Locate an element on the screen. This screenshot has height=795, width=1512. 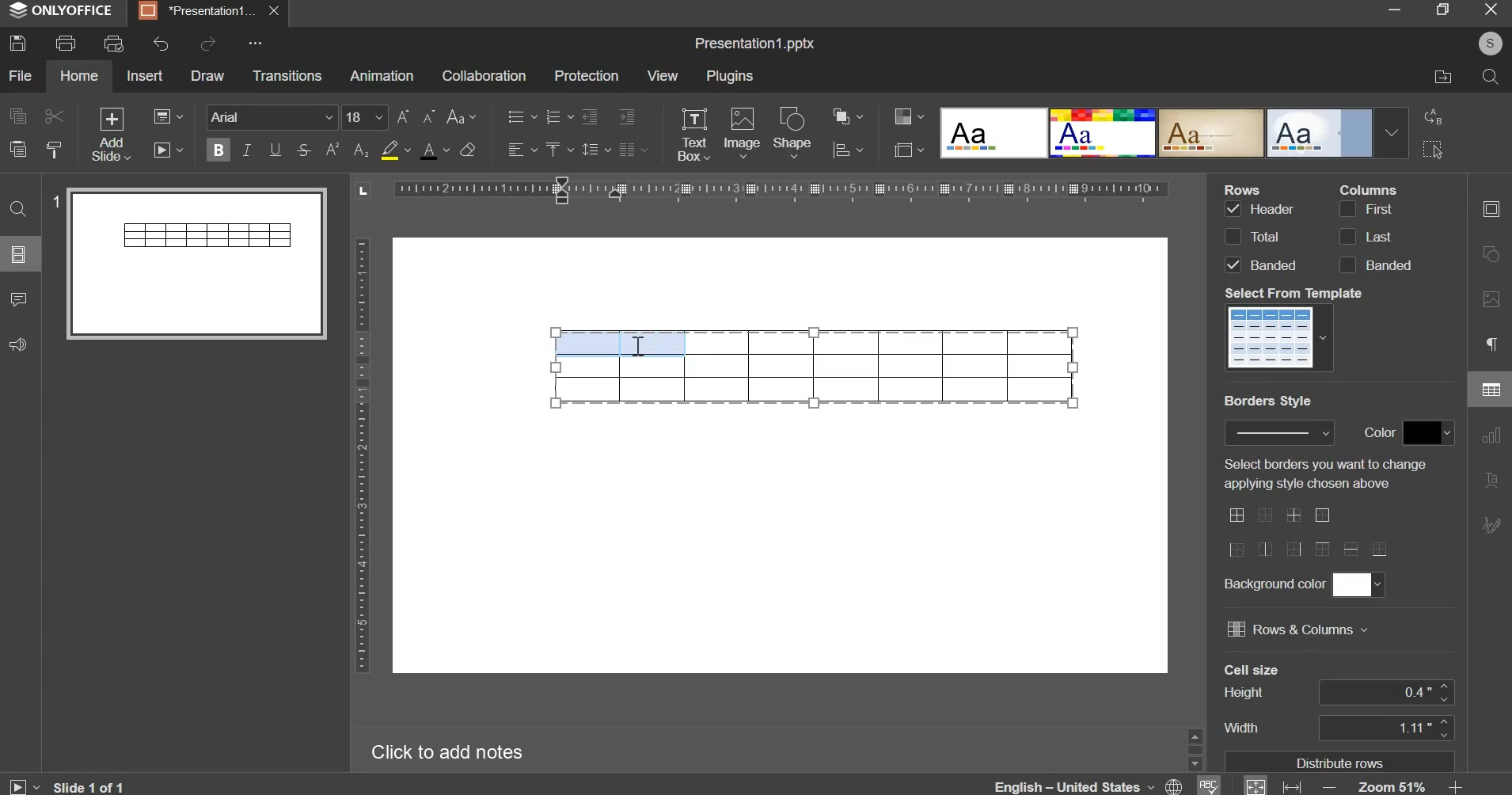
text box is located at coordinates (693, 135).